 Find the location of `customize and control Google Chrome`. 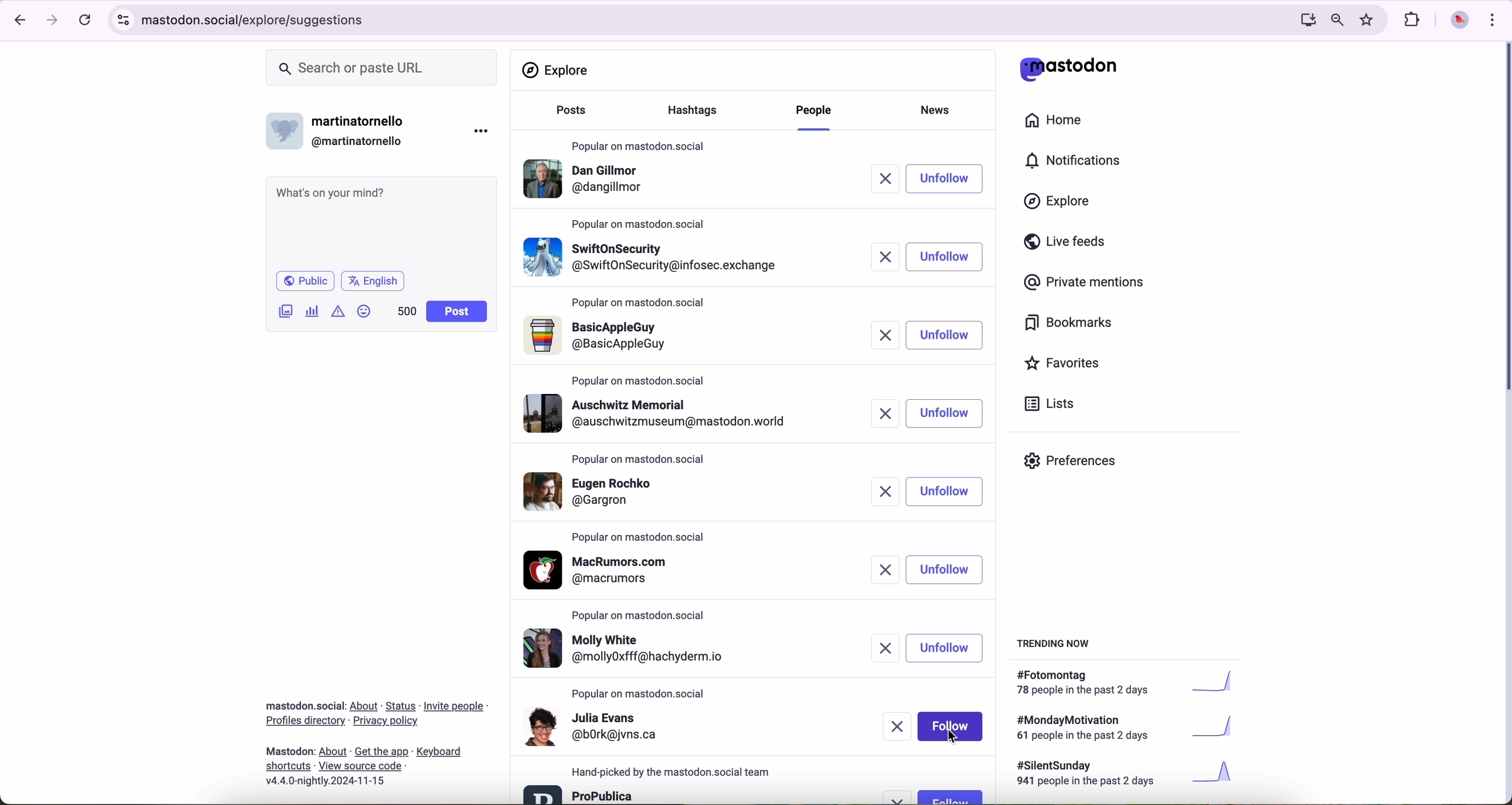

customize and control Google Chrome is located at coordinates (1491, 19).